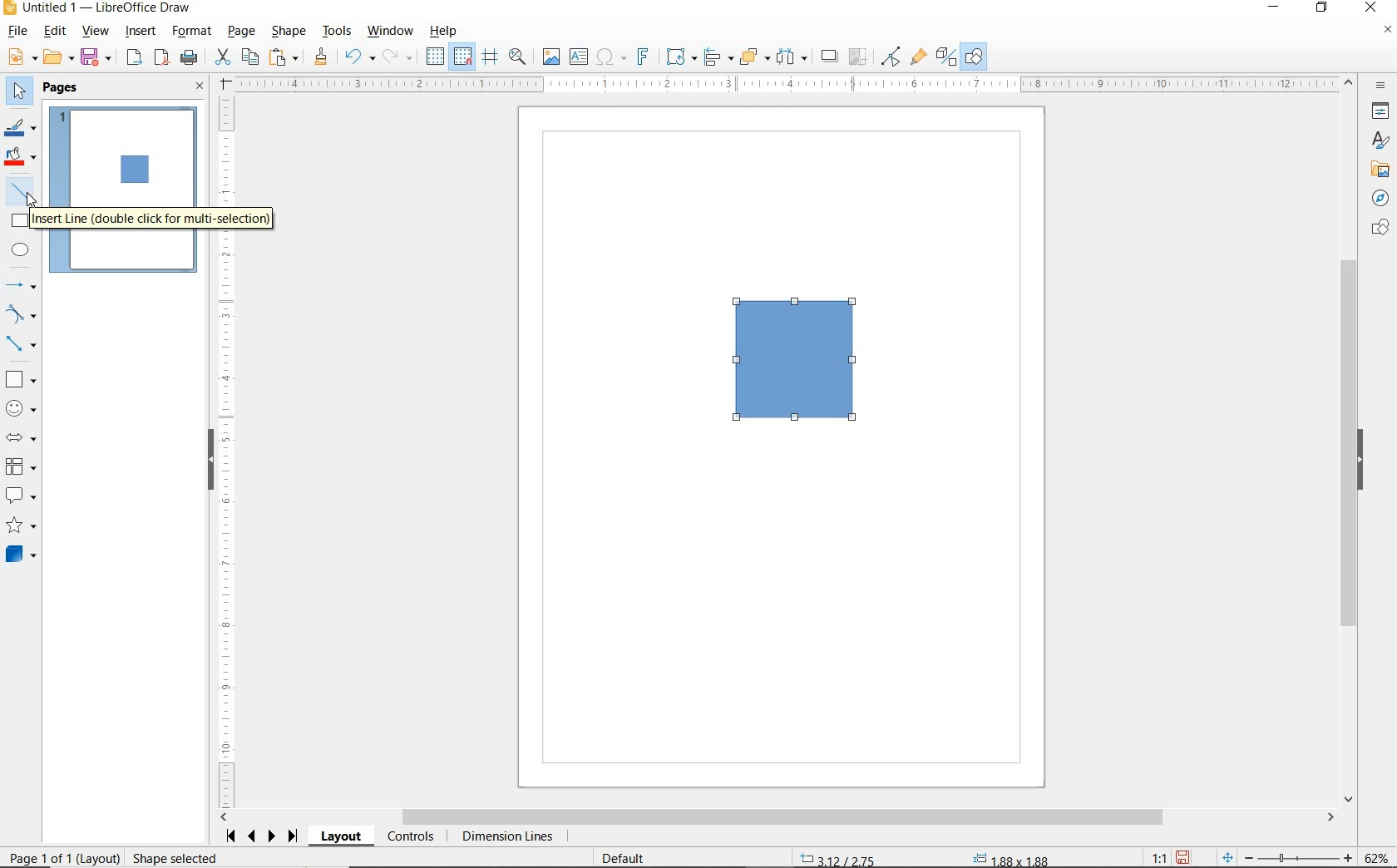  Describe the element at coordinates (1382, 86) in the screenshot. I see `SIDEBAR SETTINGS` at that location.